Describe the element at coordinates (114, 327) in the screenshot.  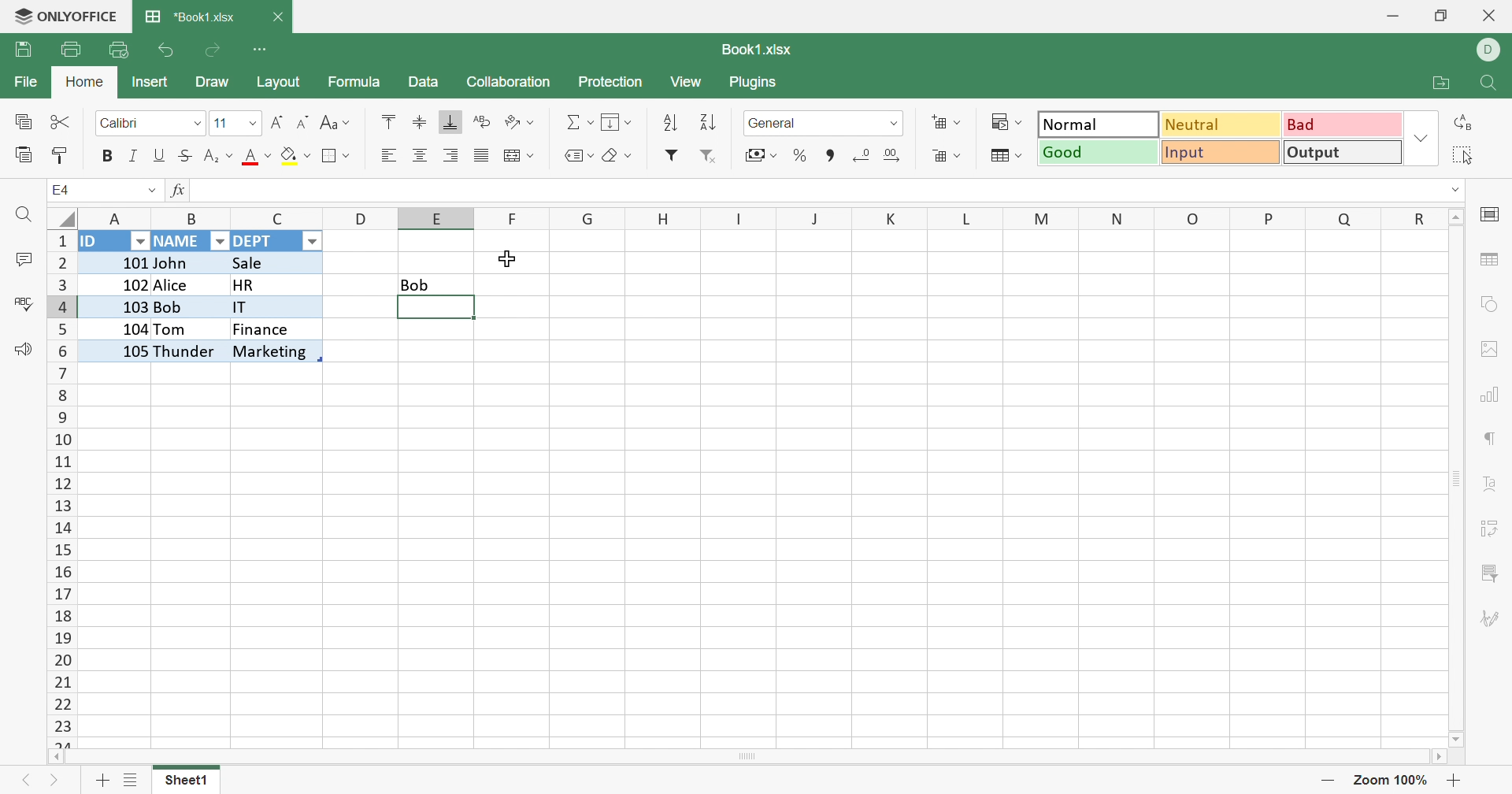
I see `104` at that location.